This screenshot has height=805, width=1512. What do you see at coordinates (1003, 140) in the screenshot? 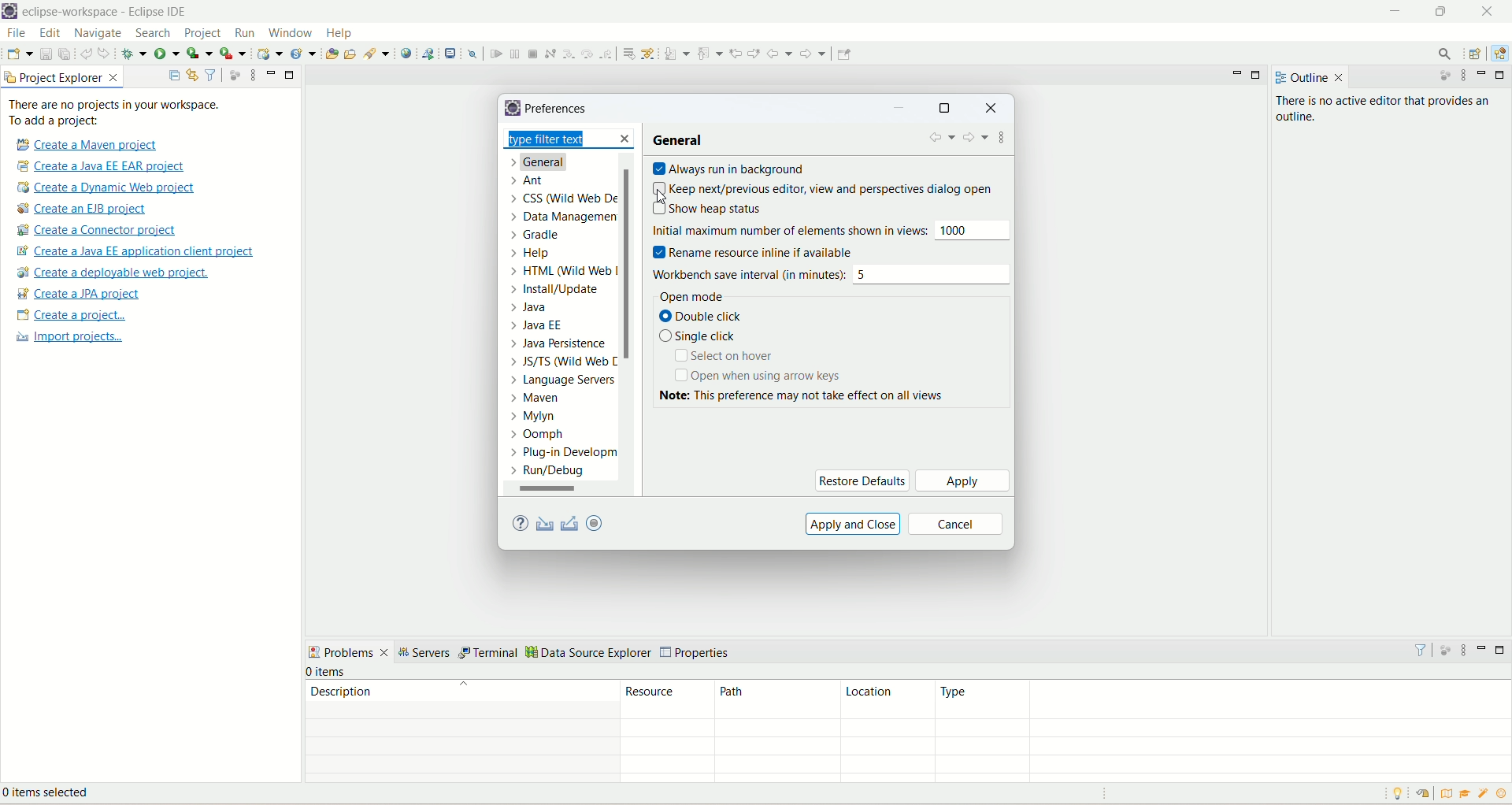
I see `additional dialogue action` at bounding box center [1003, 140].